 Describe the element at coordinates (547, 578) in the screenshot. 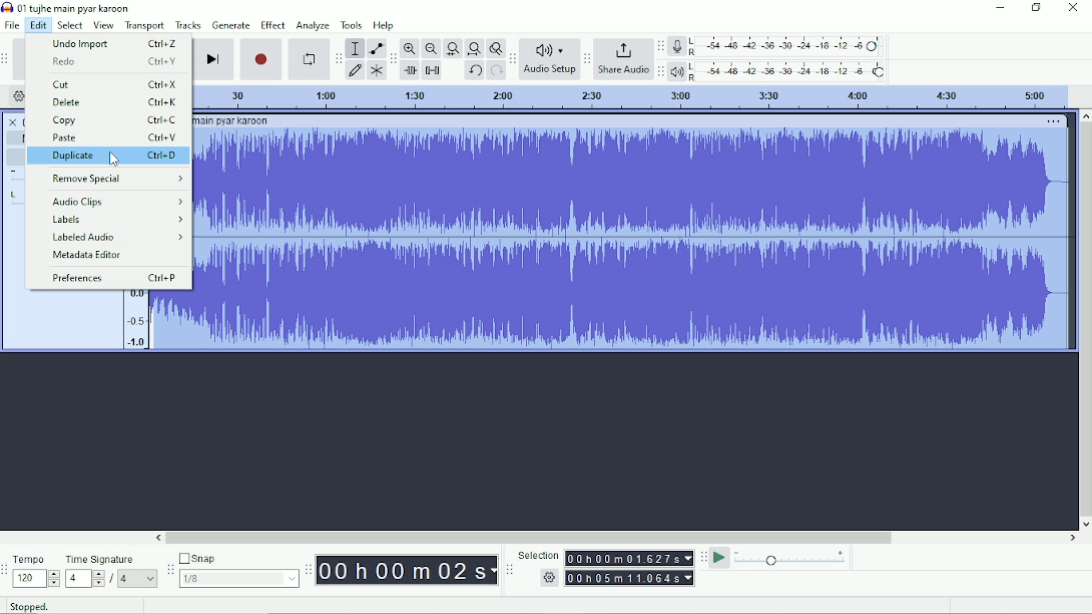

I see `` at that location.